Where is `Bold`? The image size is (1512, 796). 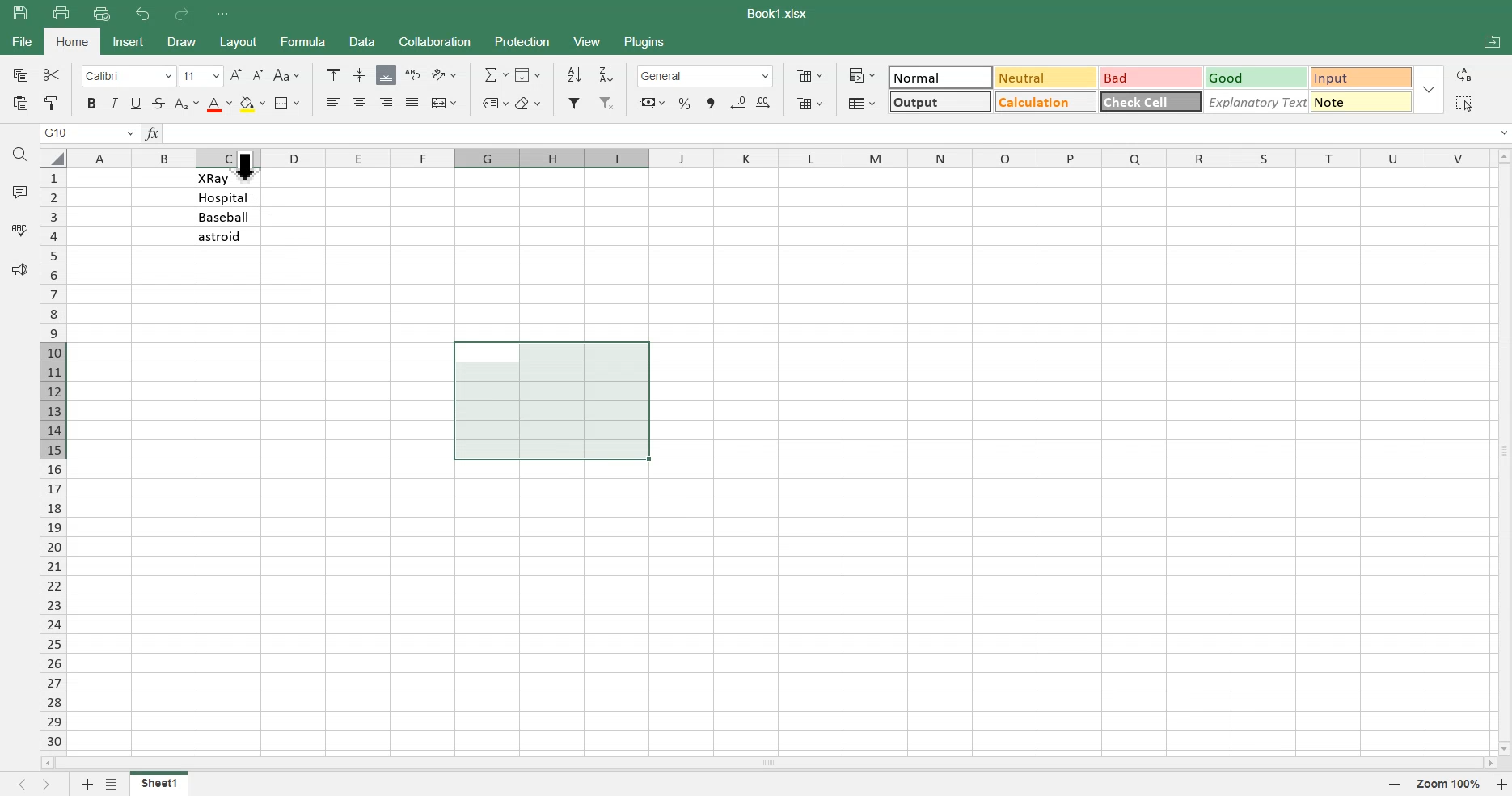
Bold is located at coordinates (89, 104).